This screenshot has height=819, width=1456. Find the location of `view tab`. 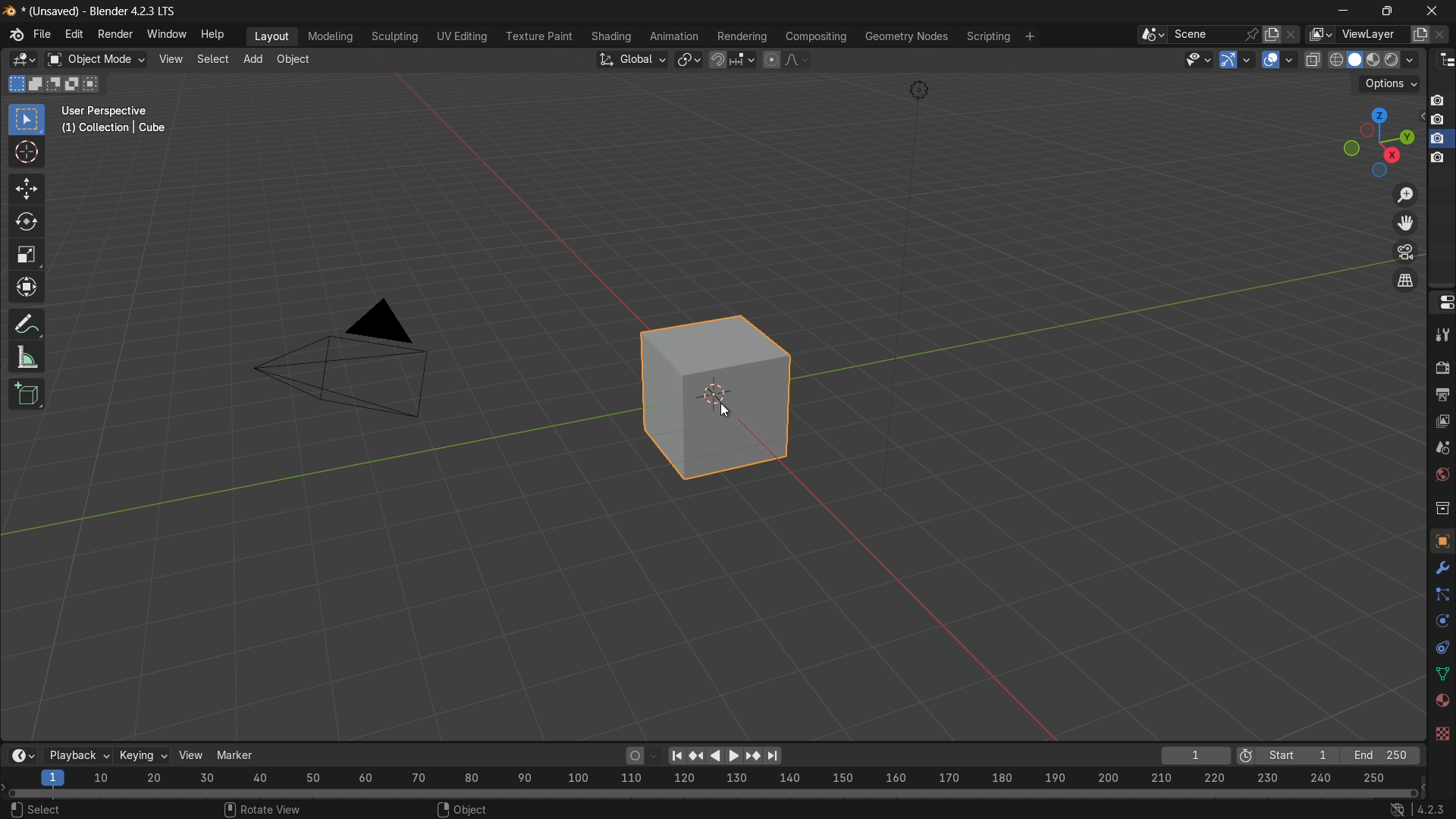

view tab is located at coordinates (169, 60).